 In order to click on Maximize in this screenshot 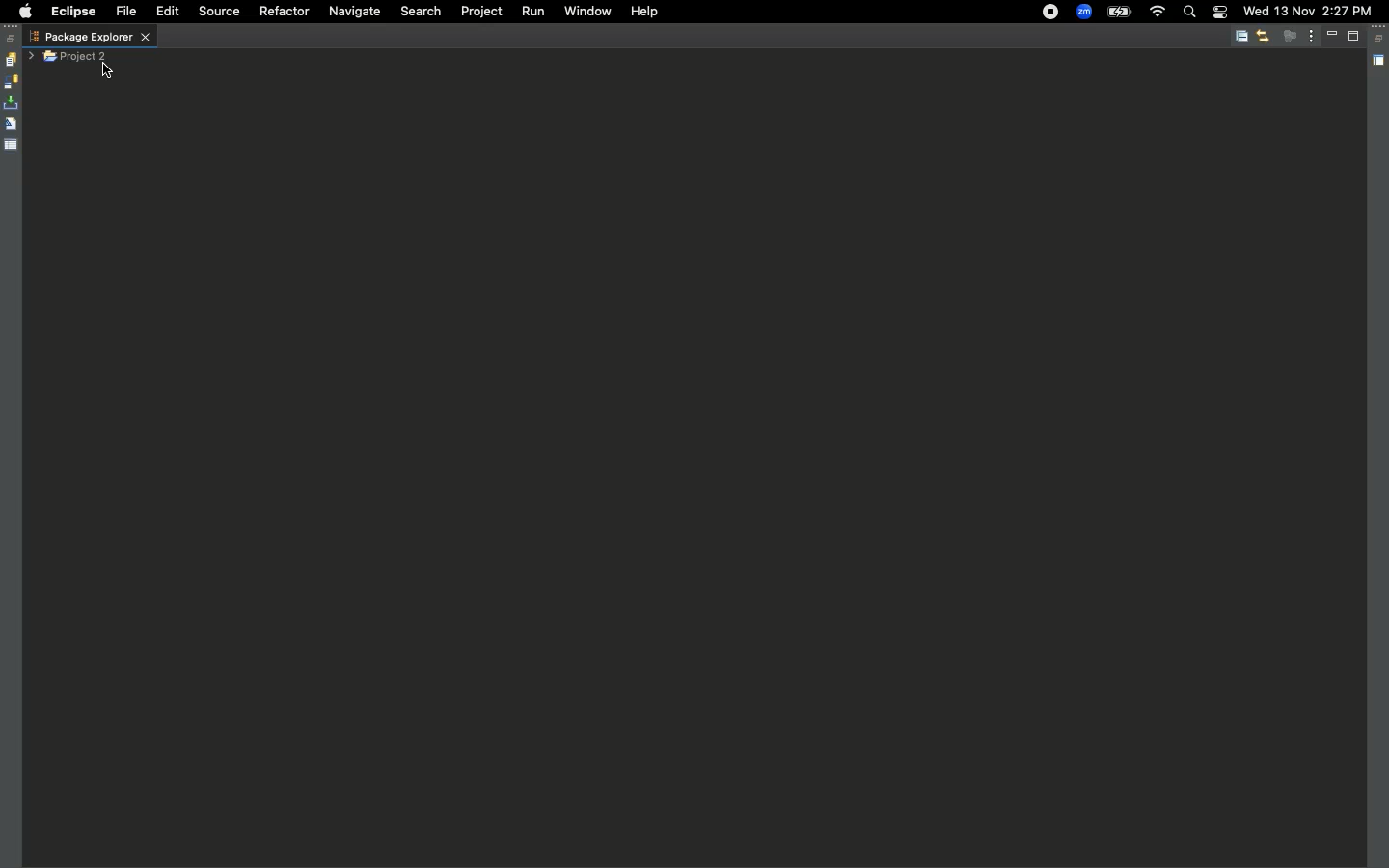, I will do `click(1355, 39)`.